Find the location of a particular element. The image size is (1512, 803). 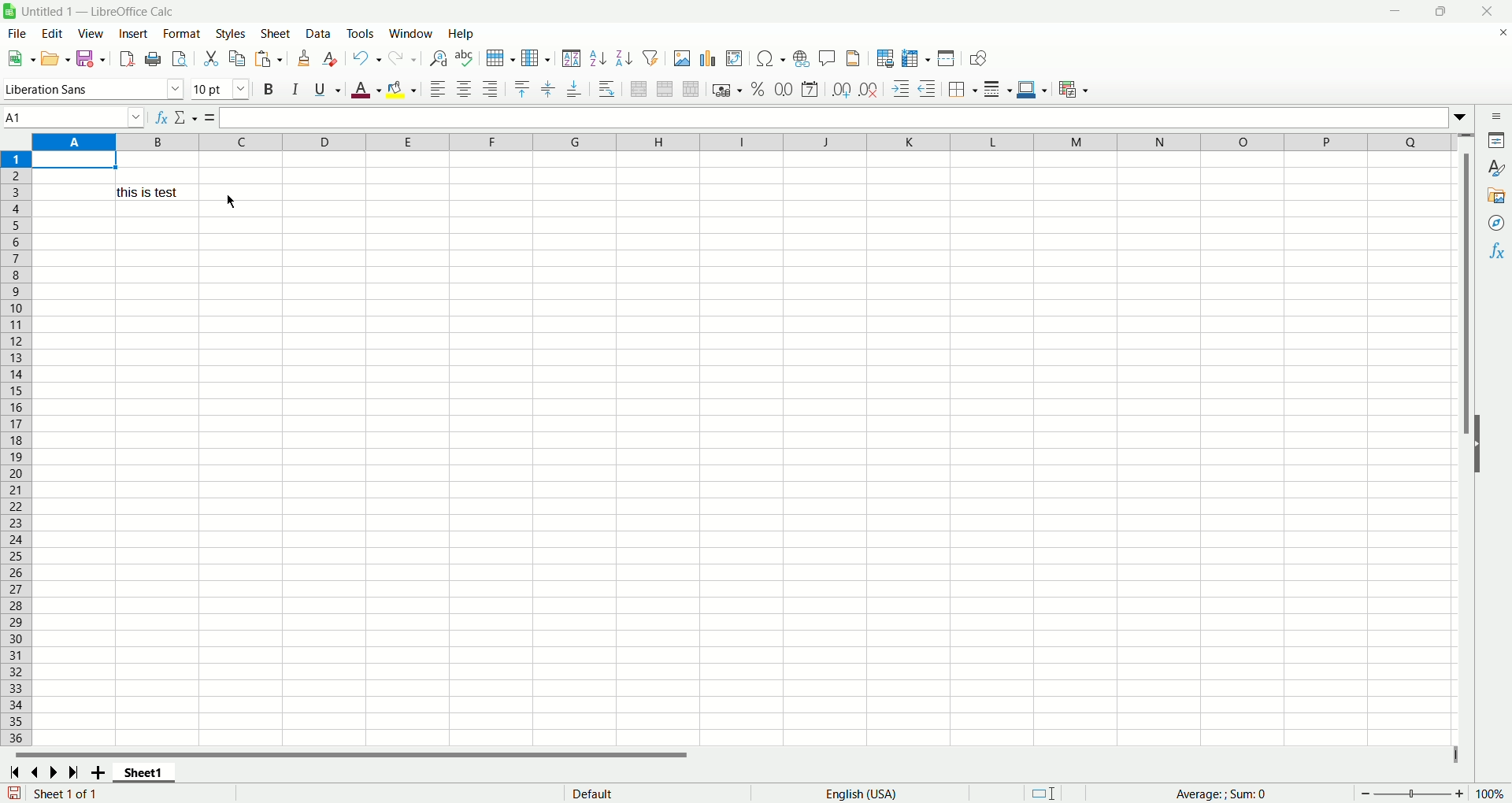

workbook is located at coordinates (744, 451).